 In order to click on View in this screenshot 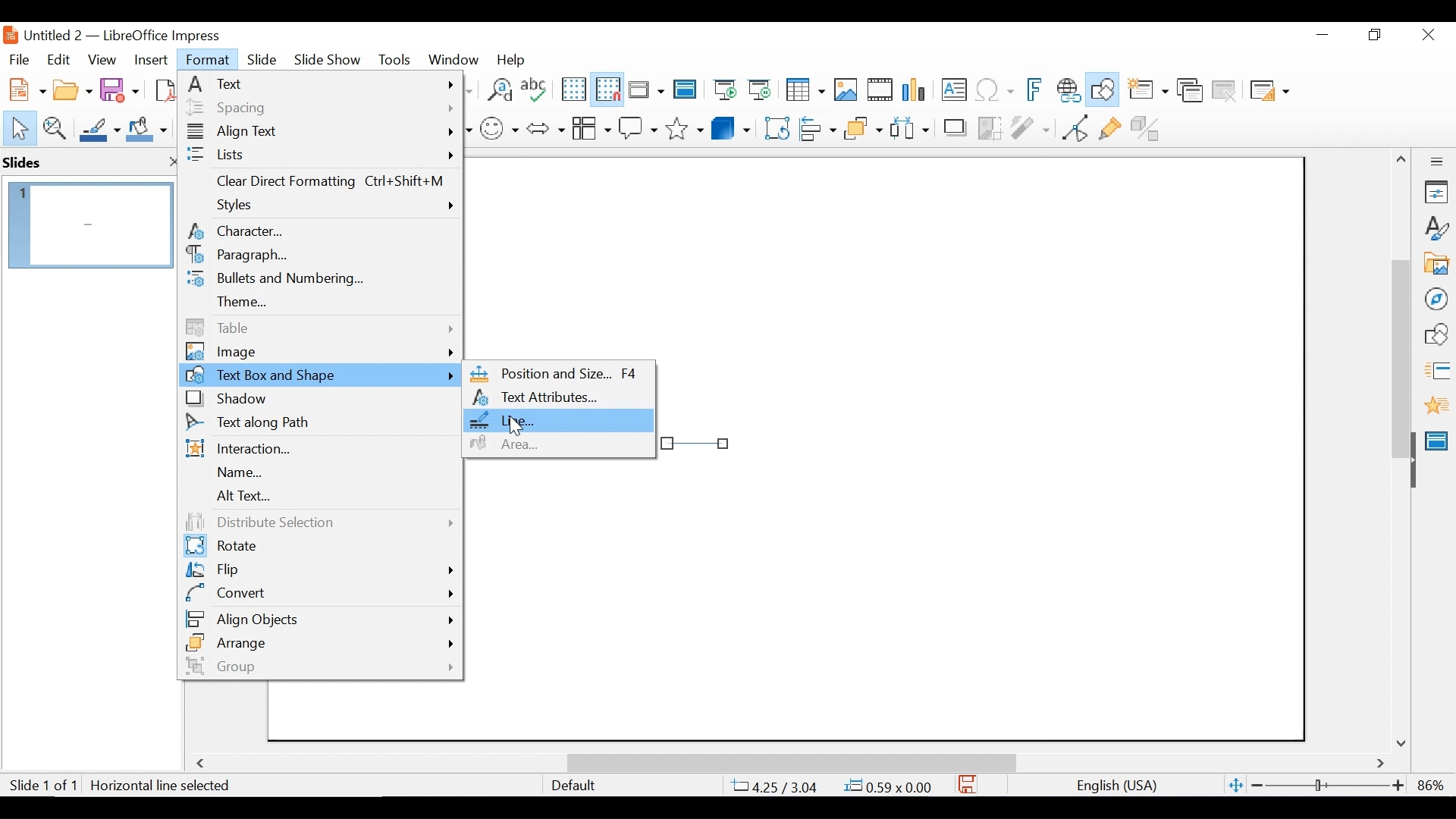, I will do `click(102, 59)`.